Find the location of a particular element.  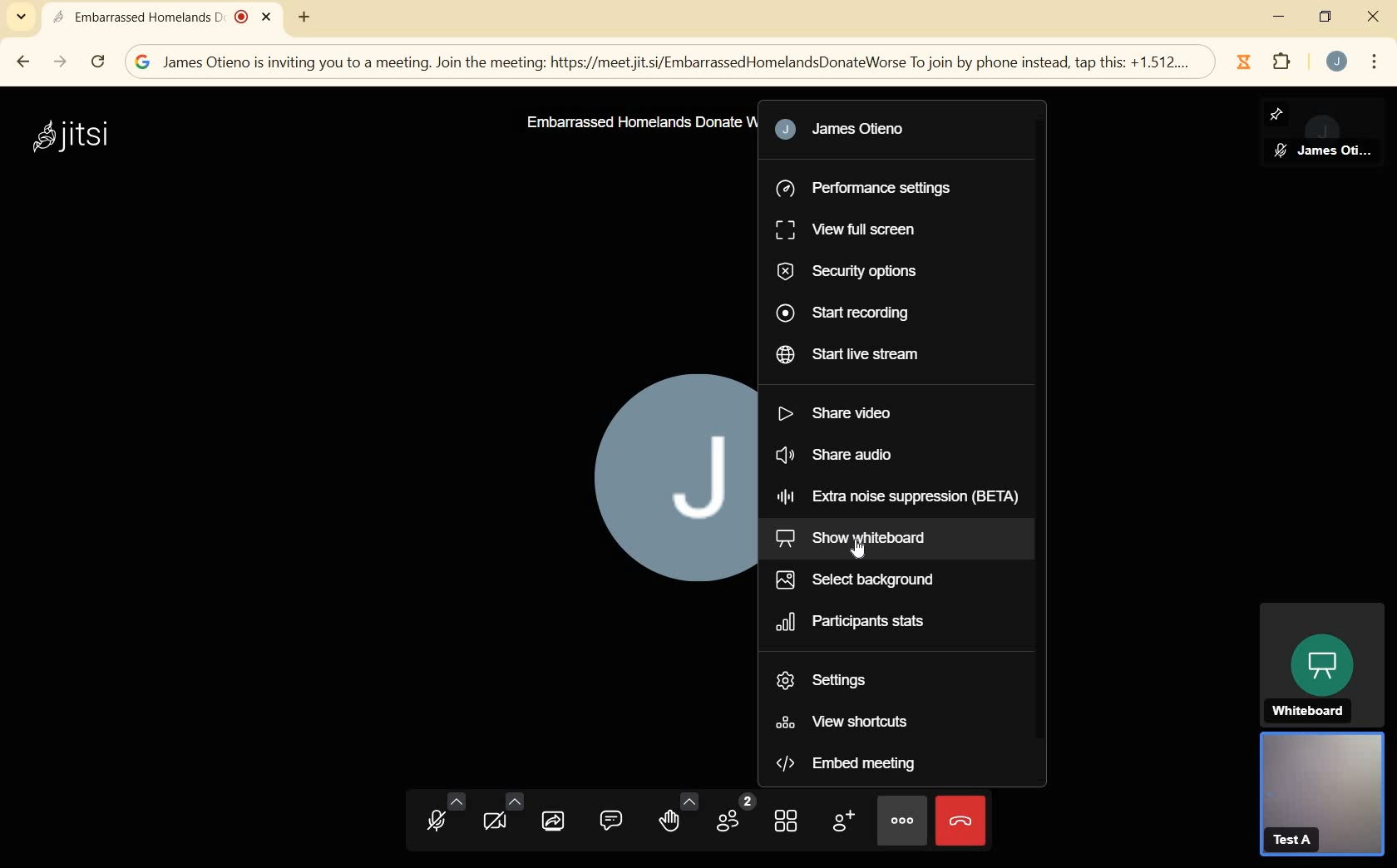

more actions is located at coordinates (902, 819).